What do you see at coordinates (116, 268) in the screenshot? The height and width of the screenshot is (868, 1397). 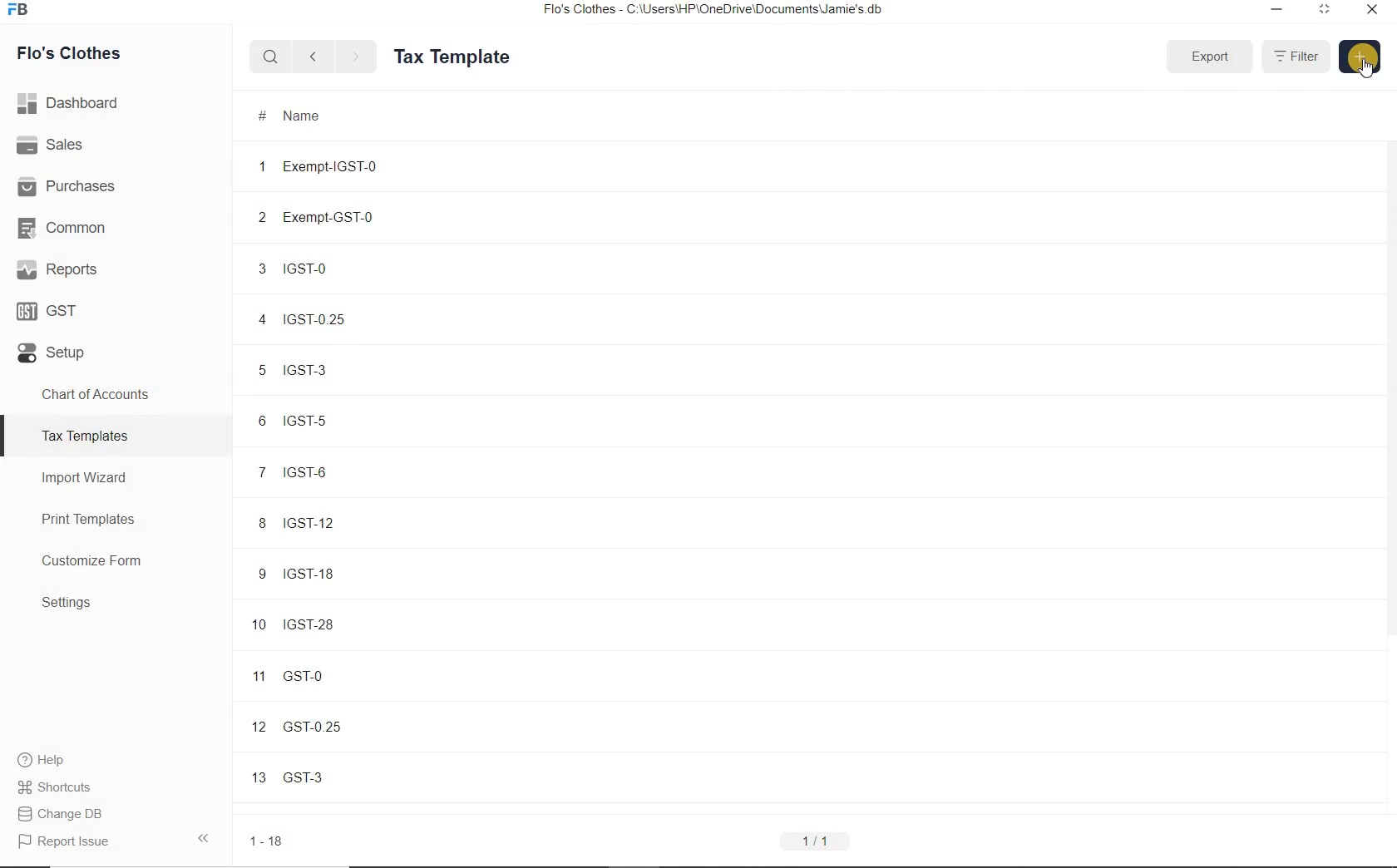 I see `Reports` at bounding box center [116, 268].